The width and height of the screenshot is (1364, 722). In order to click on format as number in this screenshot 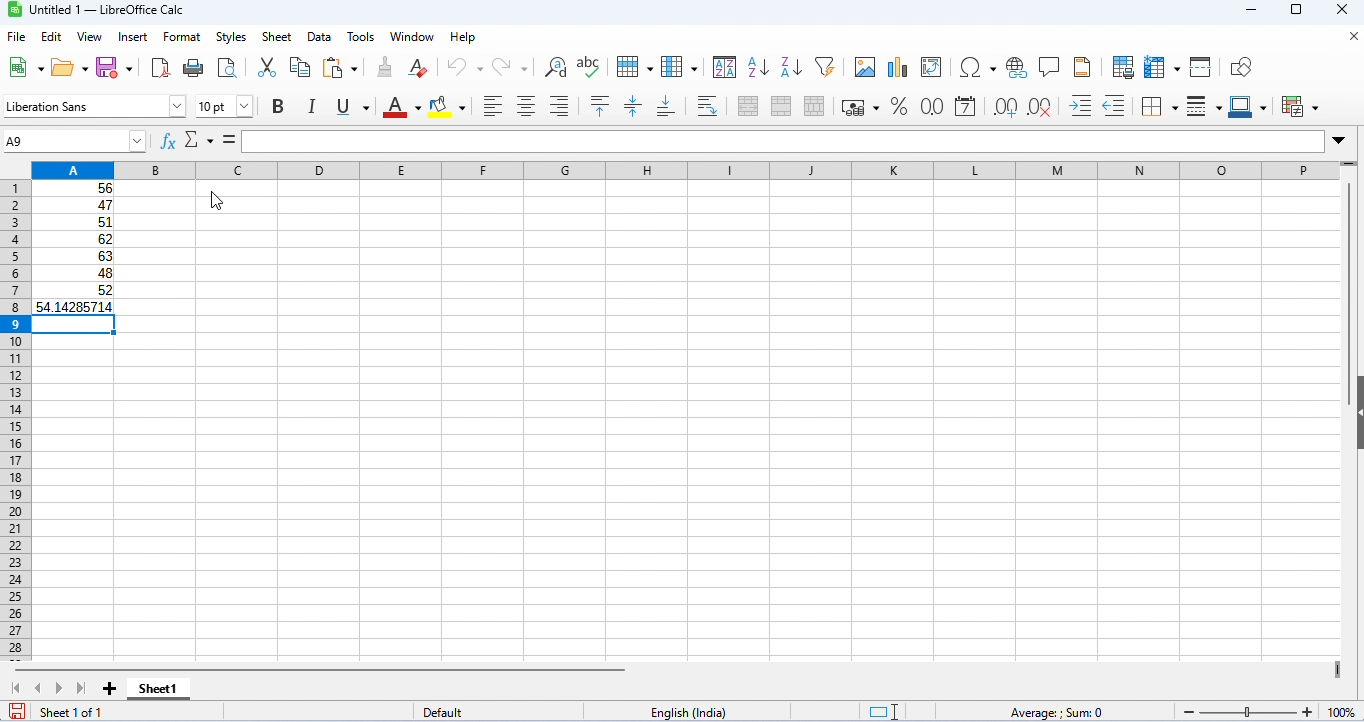, I will do `click(930, 106)`.